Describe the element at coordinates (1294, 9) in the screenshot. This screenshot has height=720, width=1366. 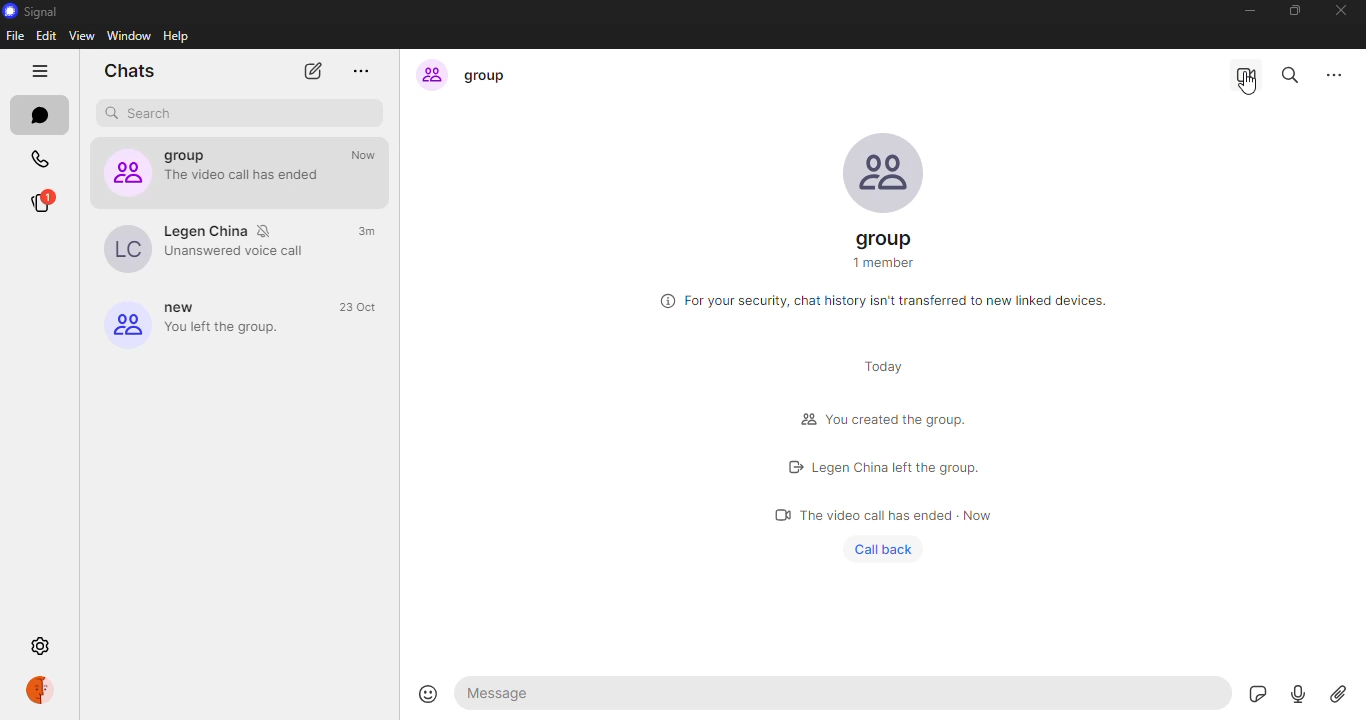
I see `maximize` at that location.